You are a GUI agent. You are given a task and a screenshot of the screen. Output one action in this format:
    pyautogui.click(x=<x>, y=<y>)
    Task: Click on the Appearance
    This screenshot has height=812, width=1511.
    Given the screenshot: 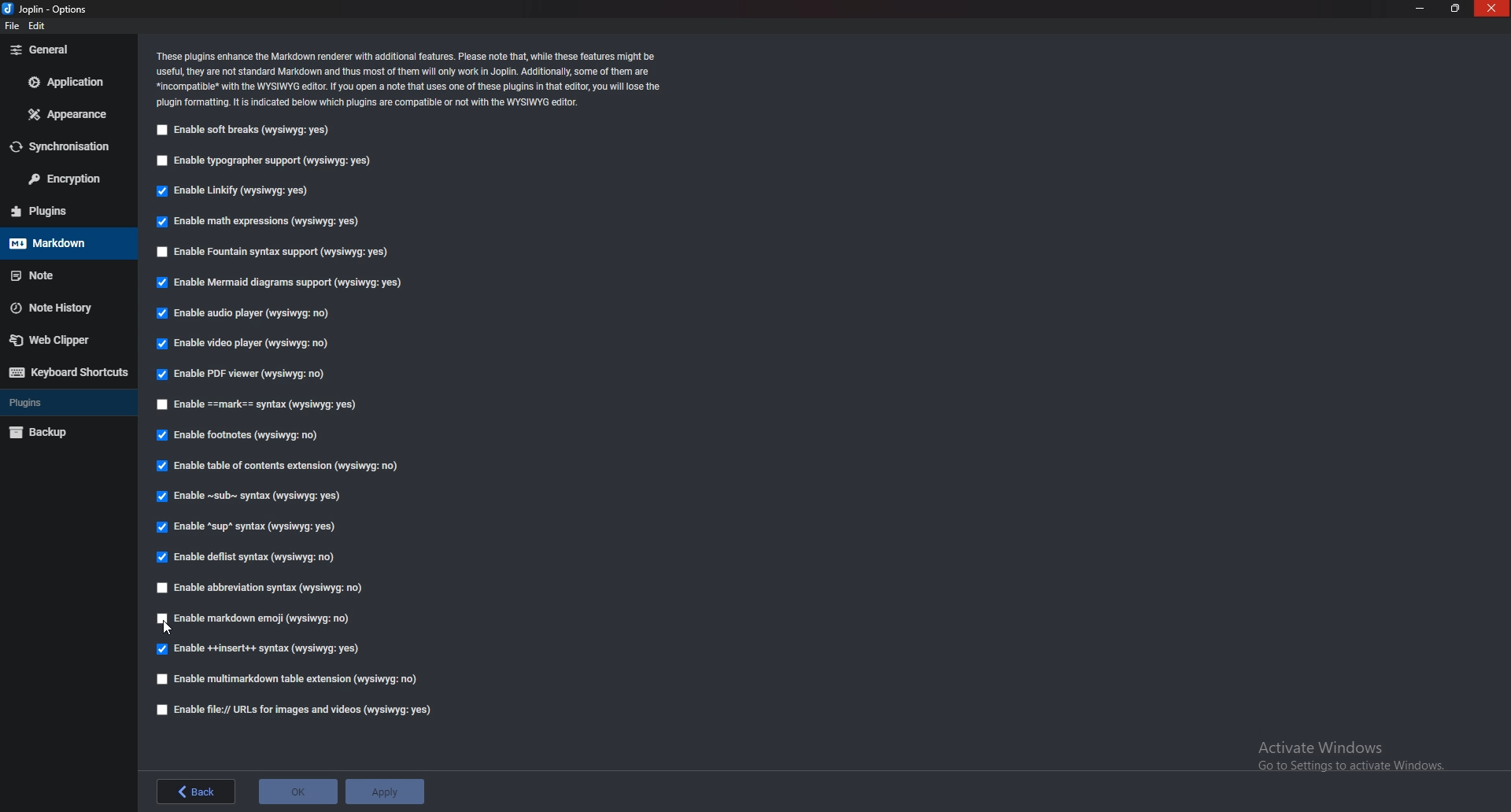 What is the action you would take?
    pyautogui.click(x=65, y=116)
    